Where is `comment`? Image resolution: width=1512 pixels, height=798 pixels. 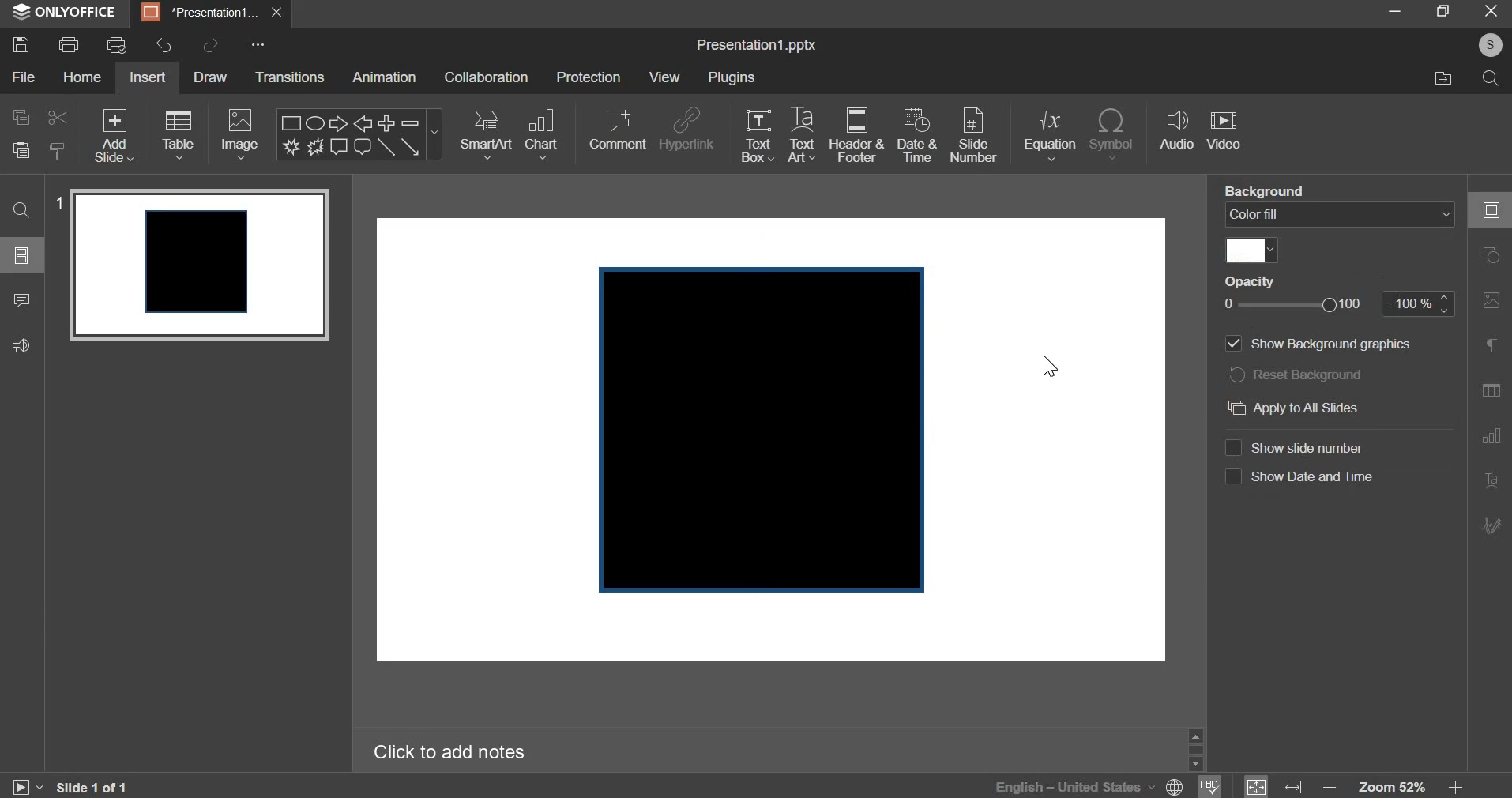 comment is located at coordinates (20, 302).